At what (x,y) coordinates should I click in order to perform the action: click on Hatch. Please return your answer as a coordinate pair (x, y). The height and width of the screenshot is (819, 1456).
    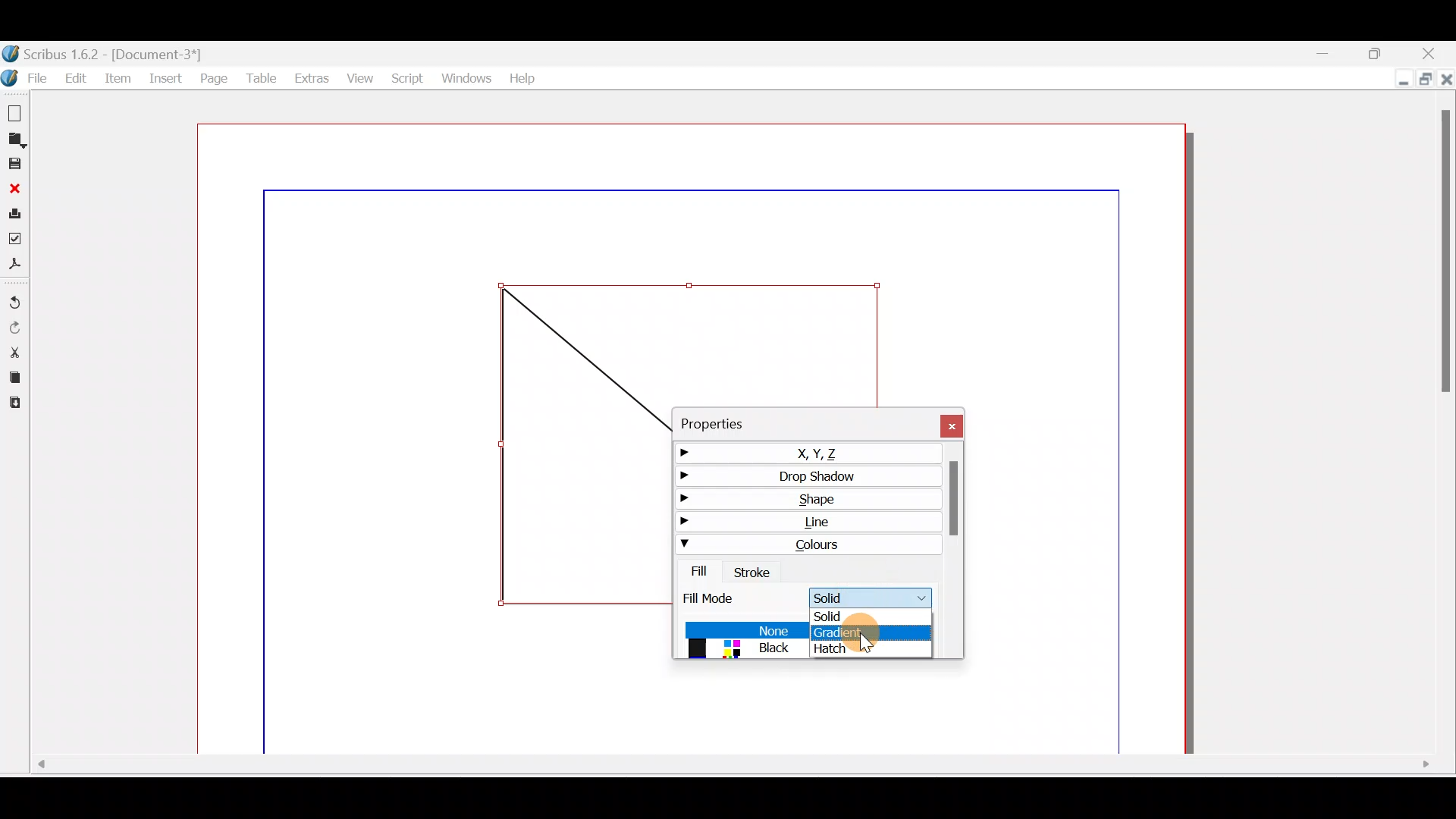
    Looking at the image, I should click on (870, 651).